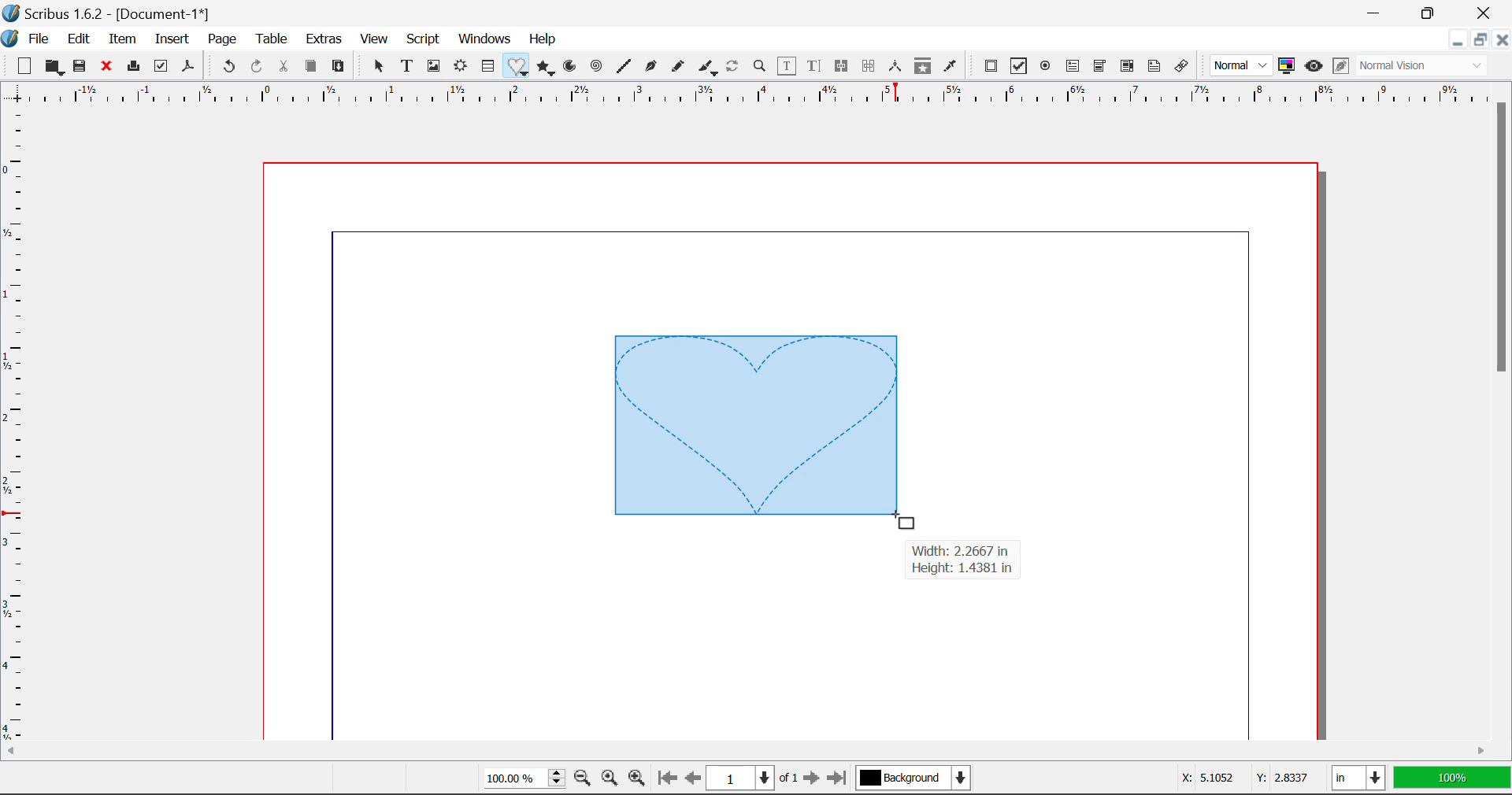 The height and width of the screenshot is (795, 1512). I want to click on Cursor, so click(906, 522).